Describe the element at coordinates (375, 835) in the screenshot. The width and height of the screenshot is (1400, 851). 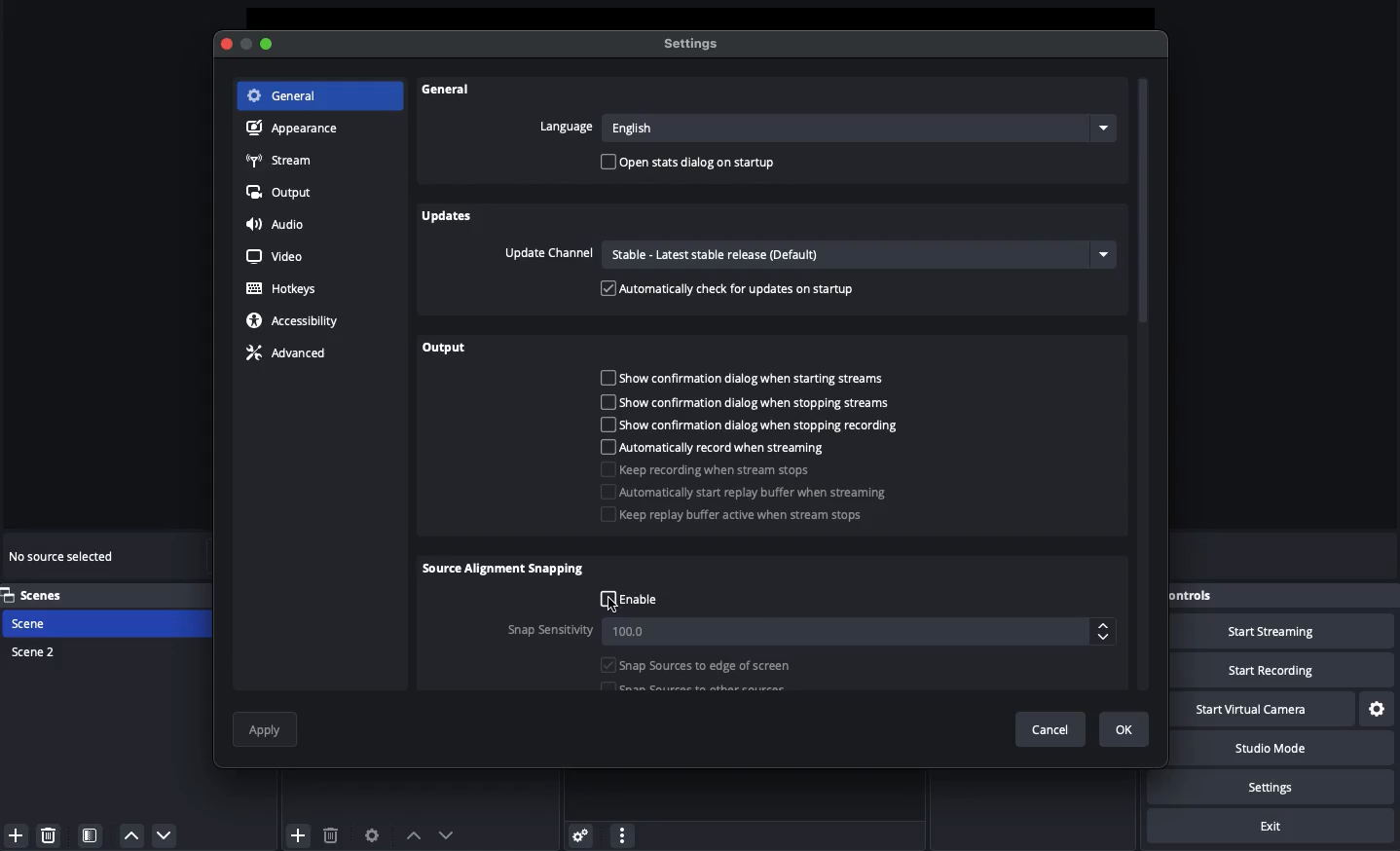
I see `Source preferences` at that location.